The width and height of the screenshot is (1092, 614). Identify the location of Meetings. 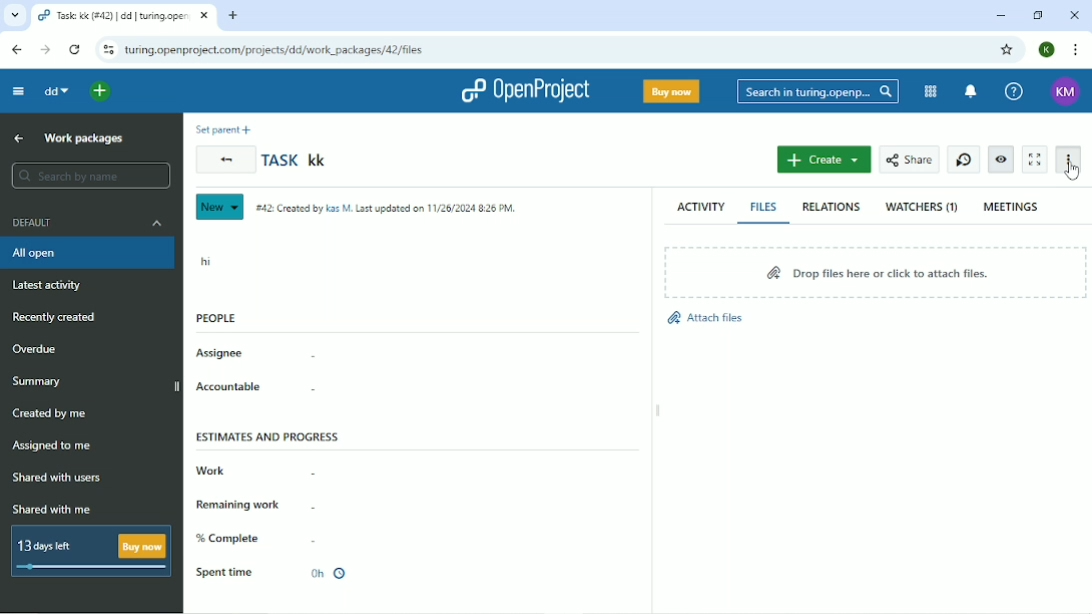
(1012, 208).